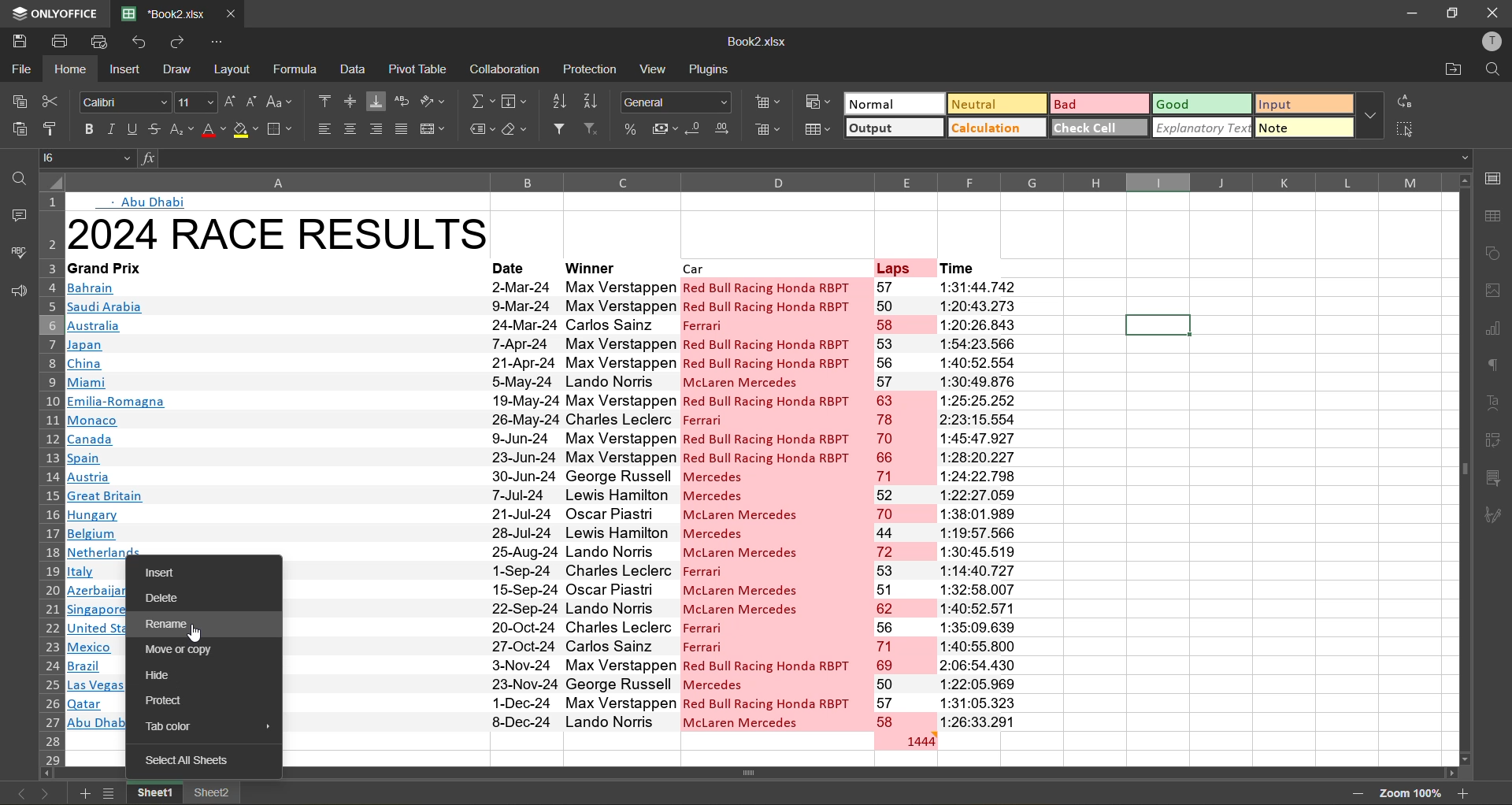 The height and width of the screenshot is (805, 1512). I want to click on clear, so click(516, 131).